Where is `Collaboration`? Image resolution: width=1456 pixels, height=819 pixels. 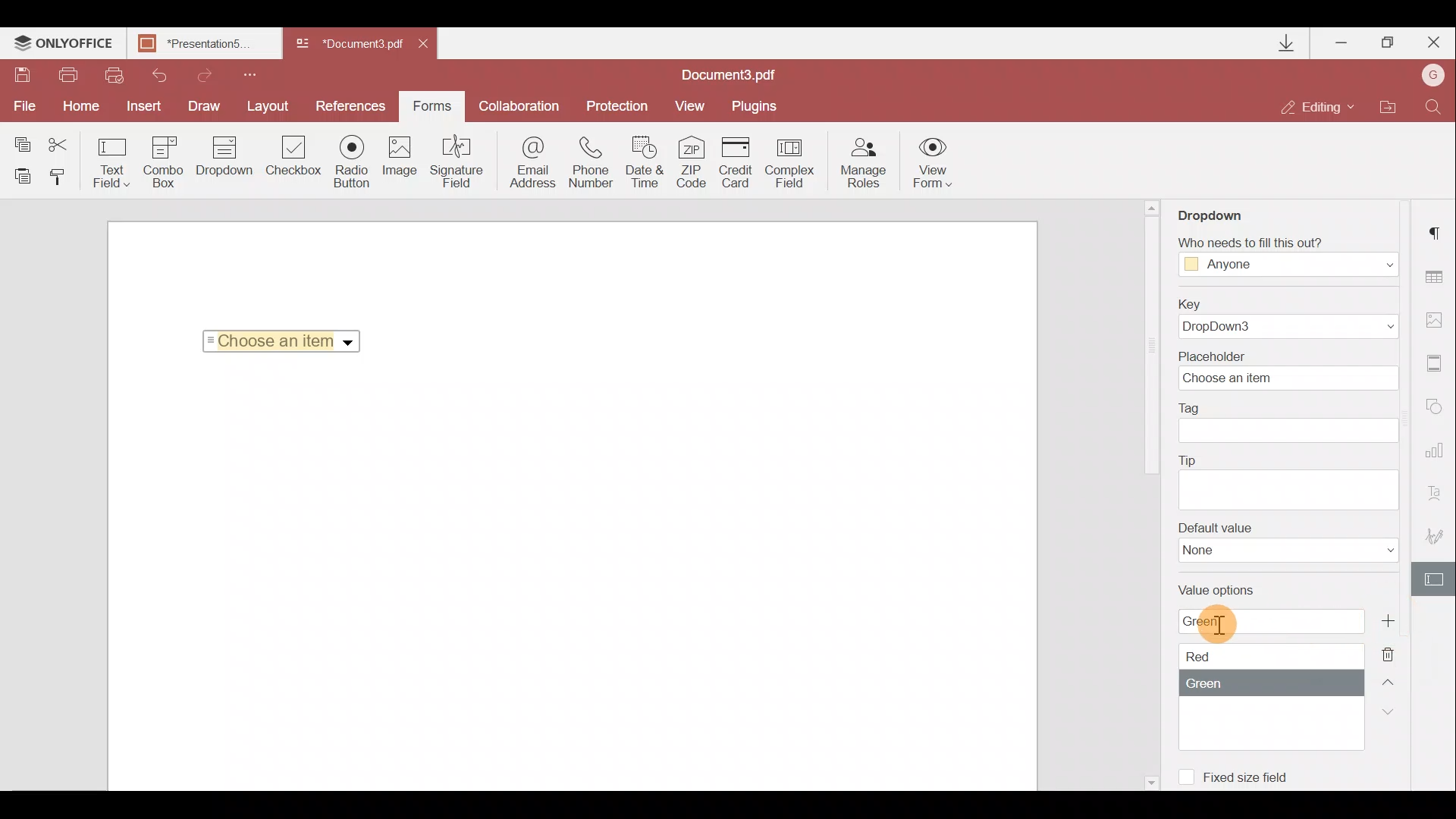
Collaboration is located at coordinates (519, 104).